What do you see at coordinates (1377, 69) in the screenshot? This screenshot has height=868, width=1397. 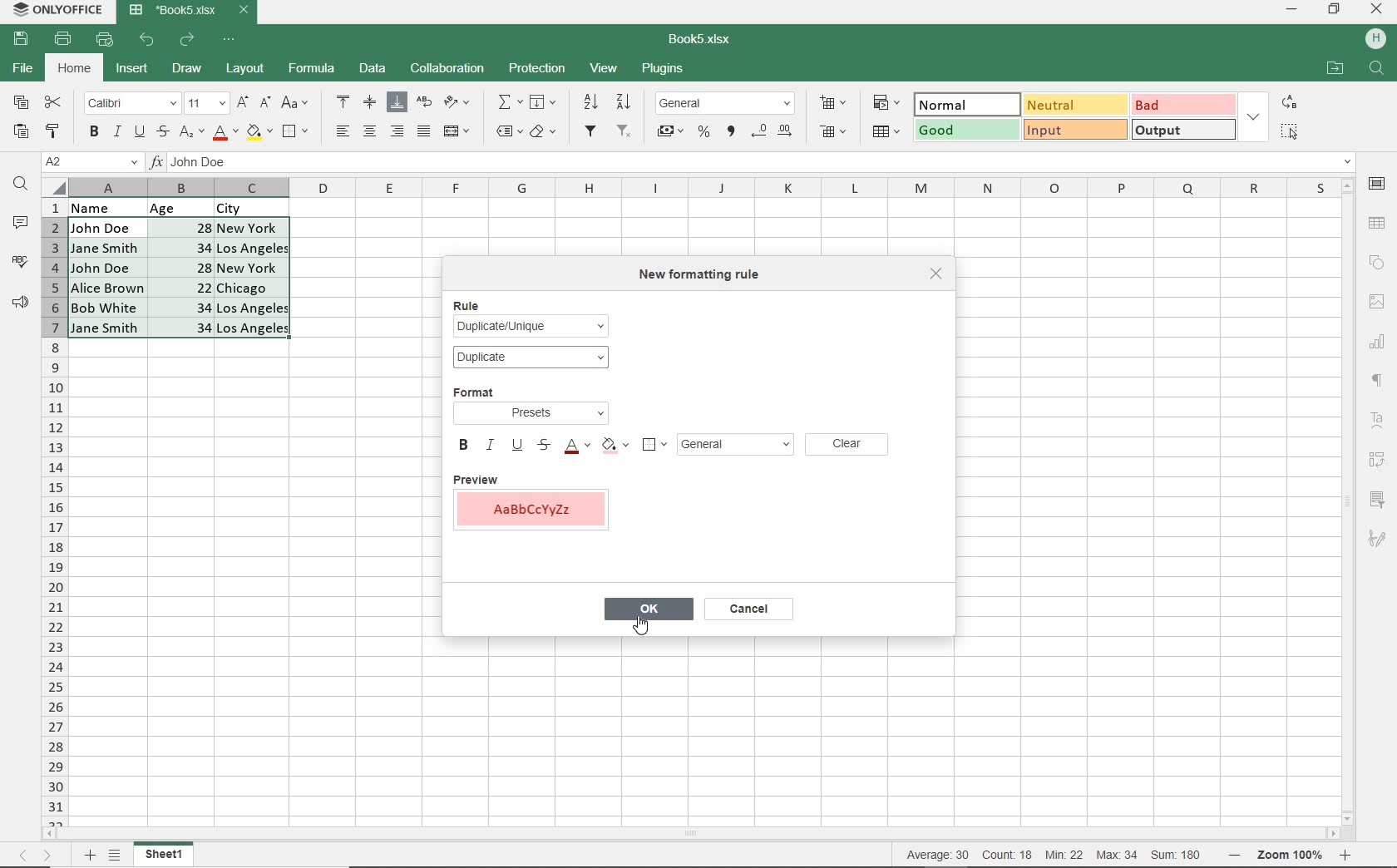 I see `Search` at bounding box center [1377, 69].